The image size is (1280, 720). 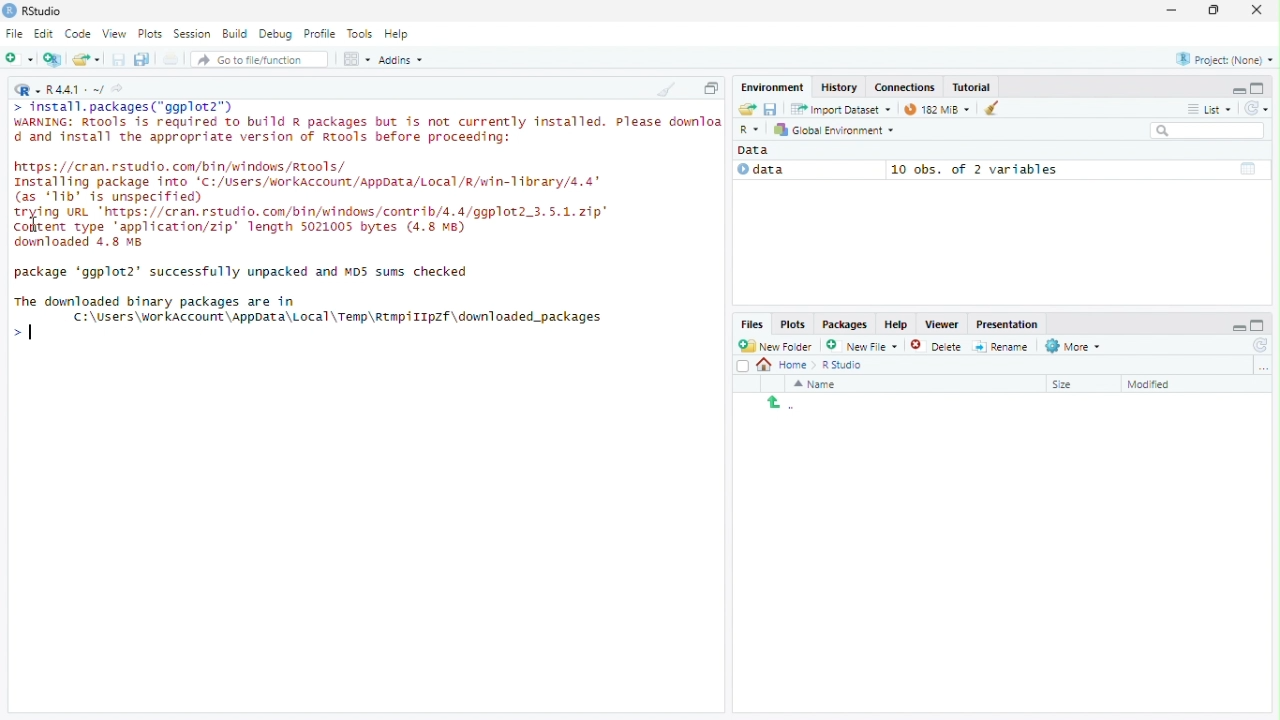 What do you see at coordinates (14, 33) in the screenshot?
I see `File` at bounding box center [14, 33].